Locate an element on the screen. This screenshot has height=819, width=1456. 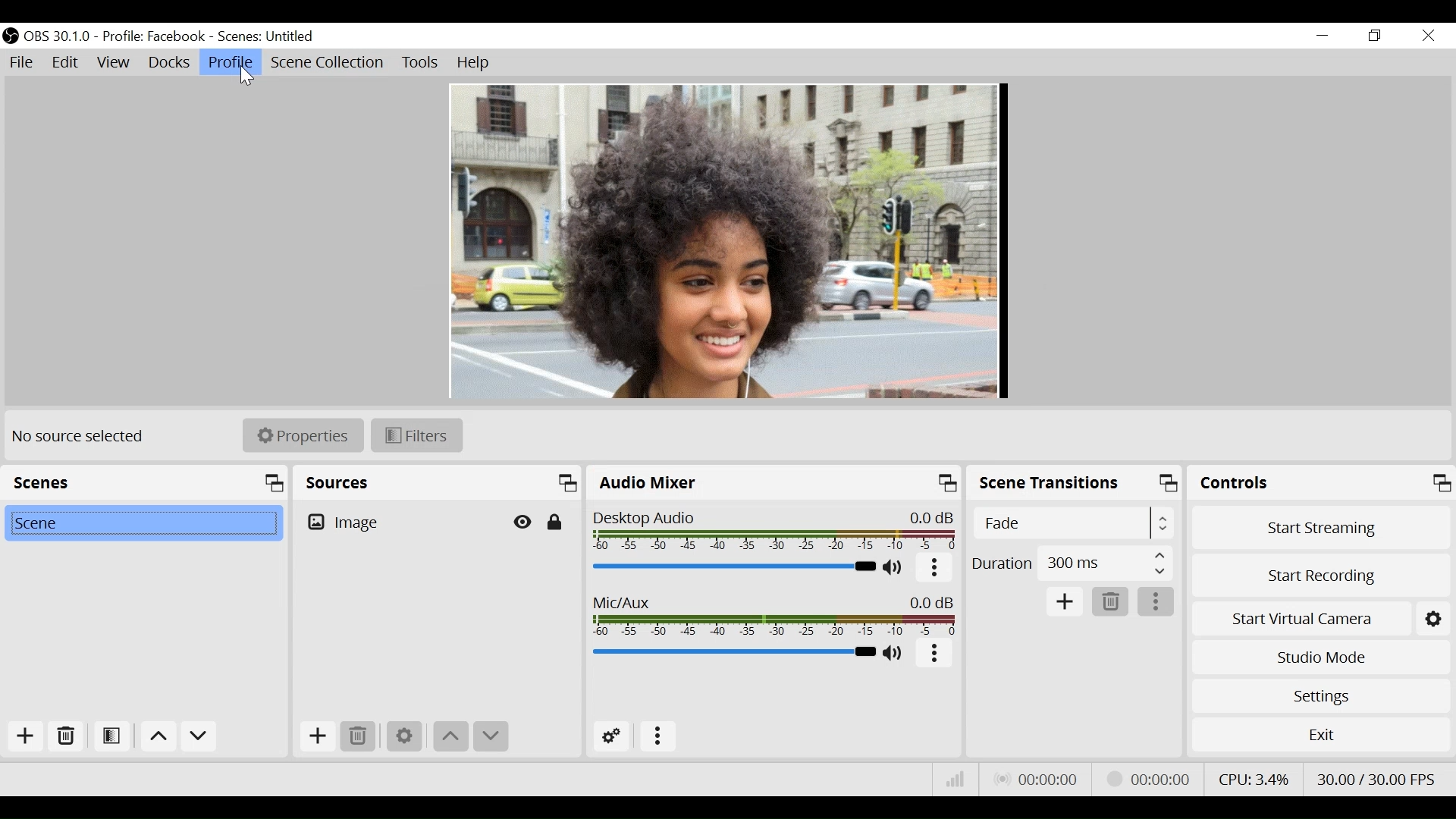
move up is located at coordinates (158, 737).